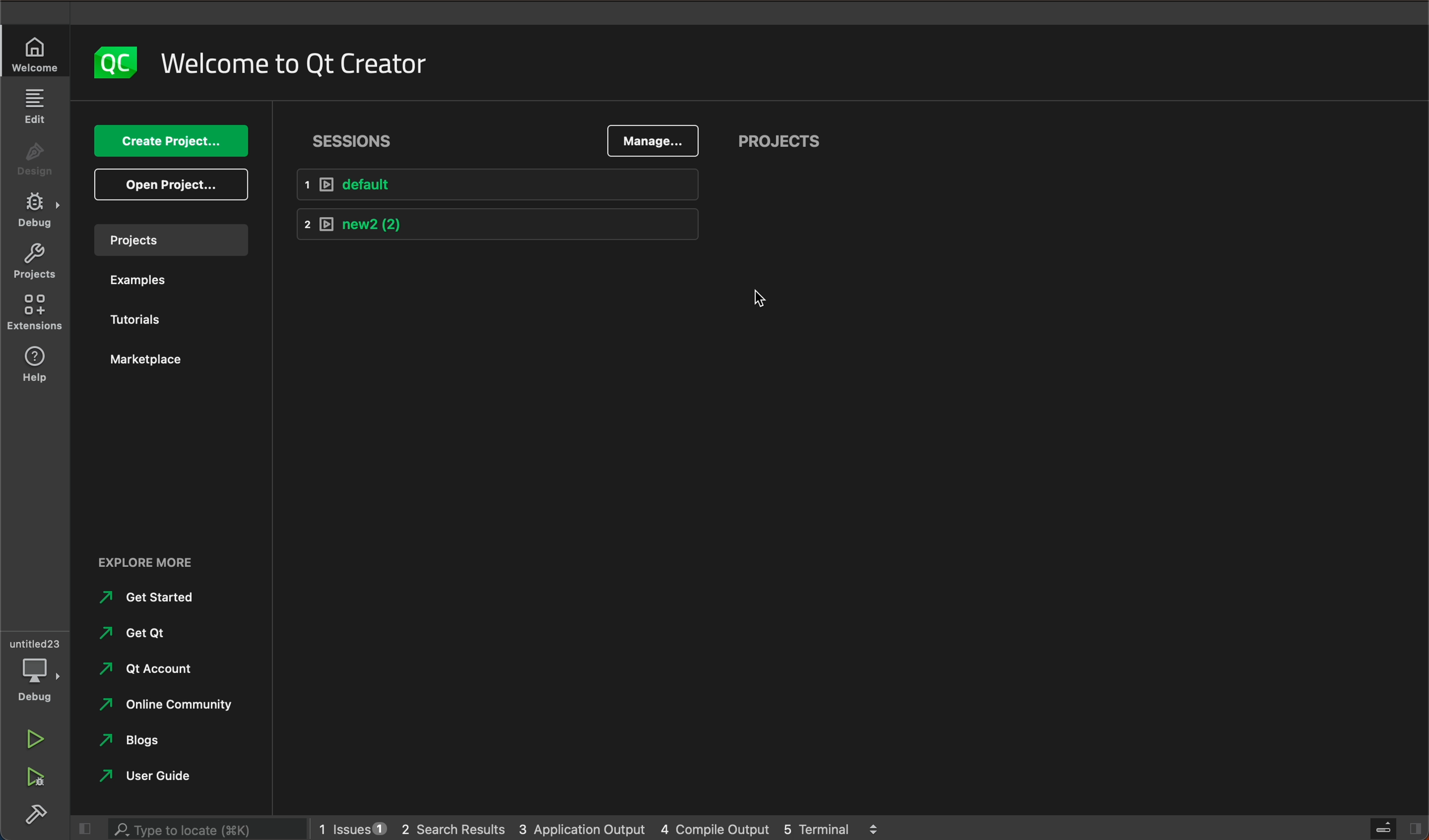 Image resolution: width=1429 pixels, height=840 pixels. Describe the element at coordinates (1393, 828) in the screenshot. I see `close slidebar` at that location.